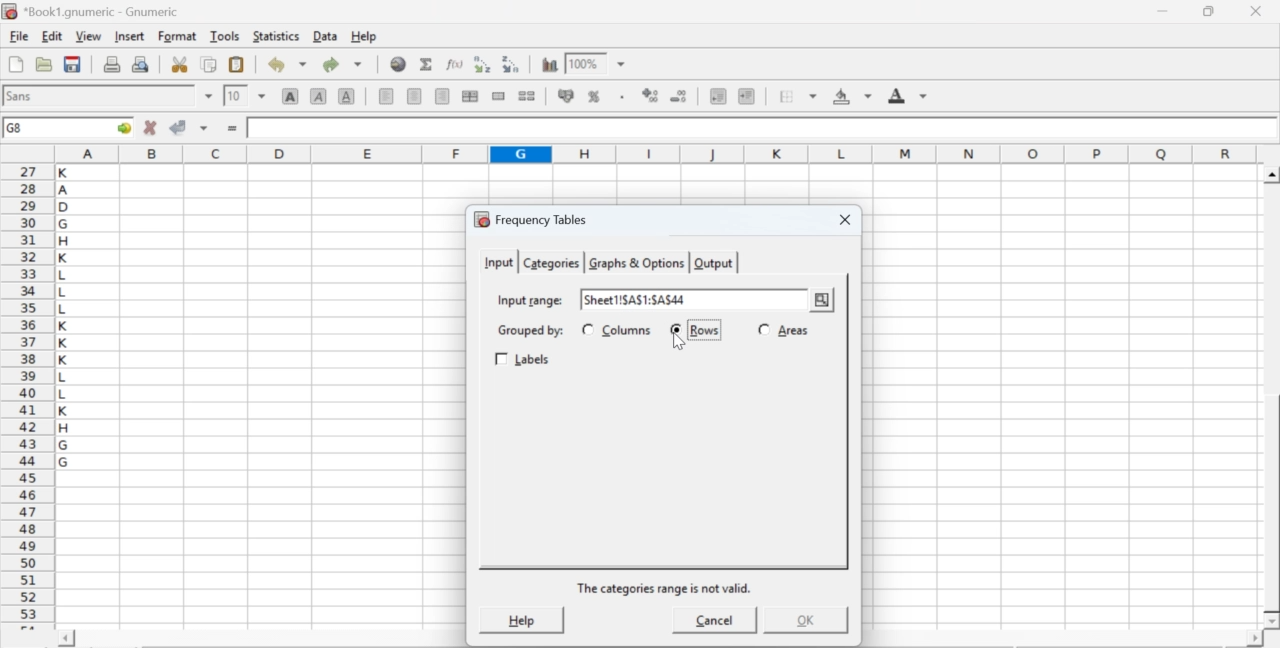 The height and width of the screenshot is (648, 1280). I want to click on font, so click(22, 95).